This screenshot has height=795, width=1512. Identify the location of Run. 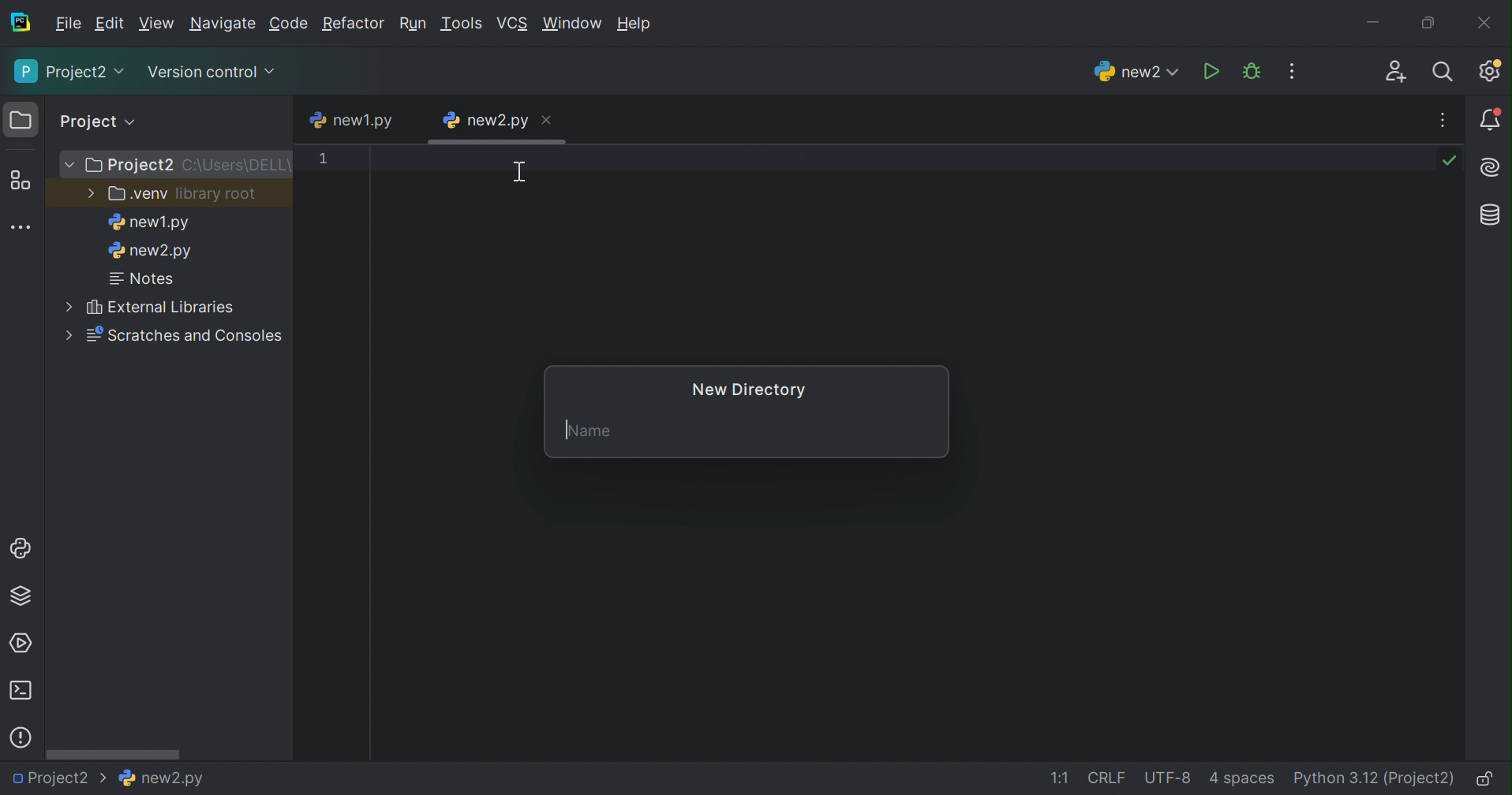
(1210, 71).